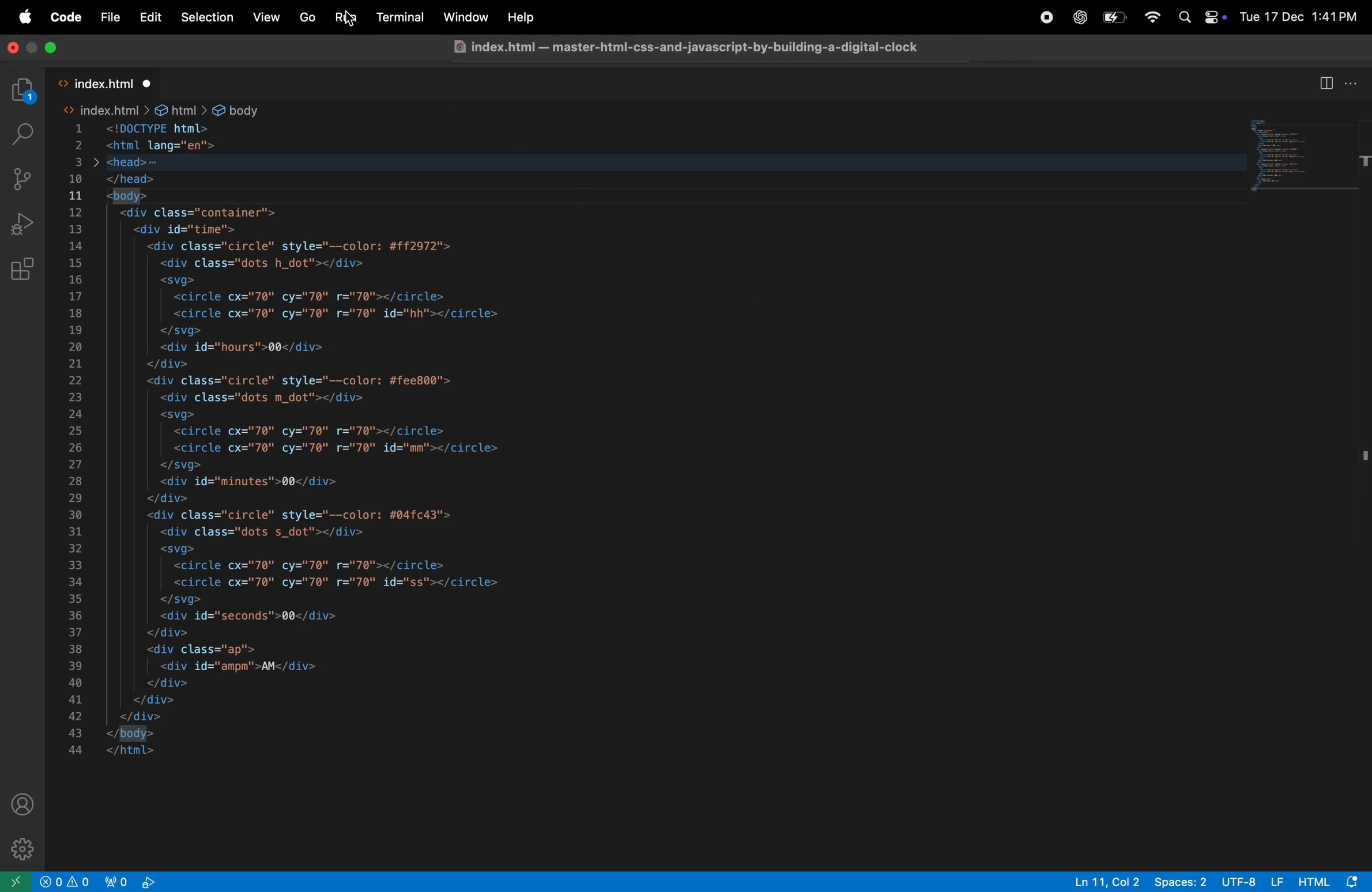 This screenshot has height=892, width=1372. What do you see at coordinates (307, 18) in the screenshot?
I see `Go` at bounding box center [307, 18].